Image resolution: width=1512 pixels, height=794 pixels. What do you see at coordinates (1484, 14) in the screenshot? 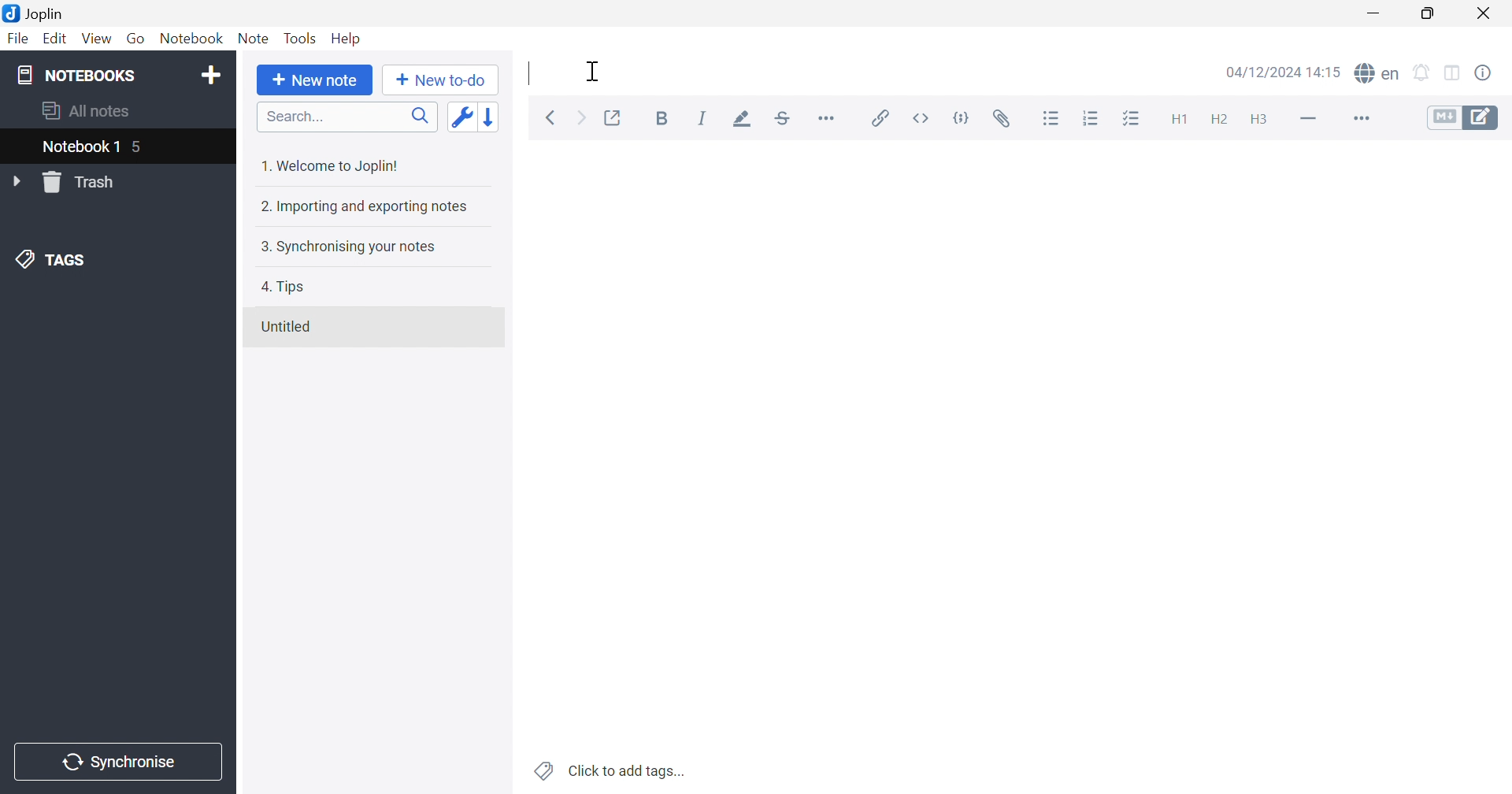
I see `Close` at bounding box center [1484, 14].